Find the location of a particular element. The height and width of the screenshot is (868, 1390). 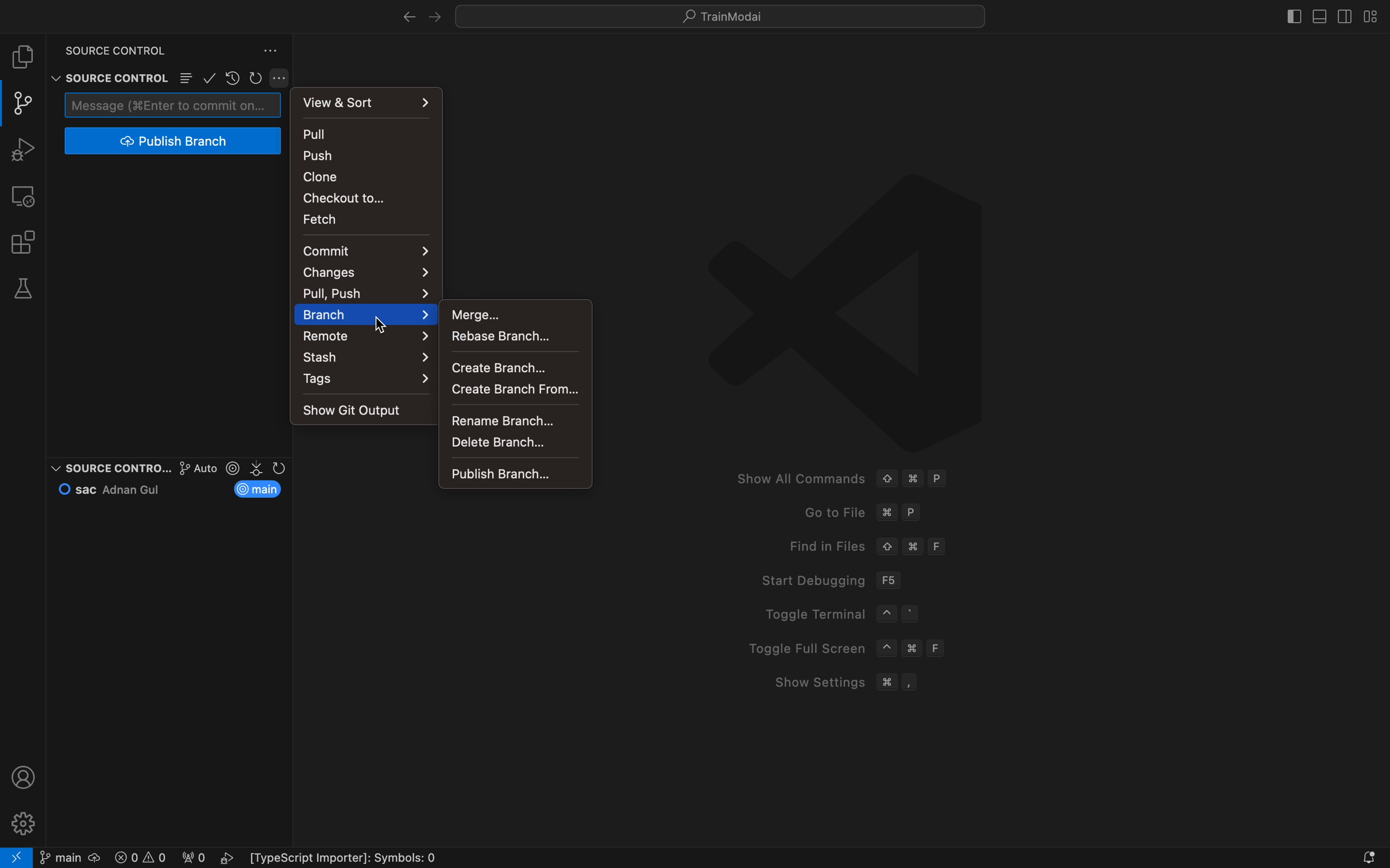

remote open is located at coordinates (17, 857).